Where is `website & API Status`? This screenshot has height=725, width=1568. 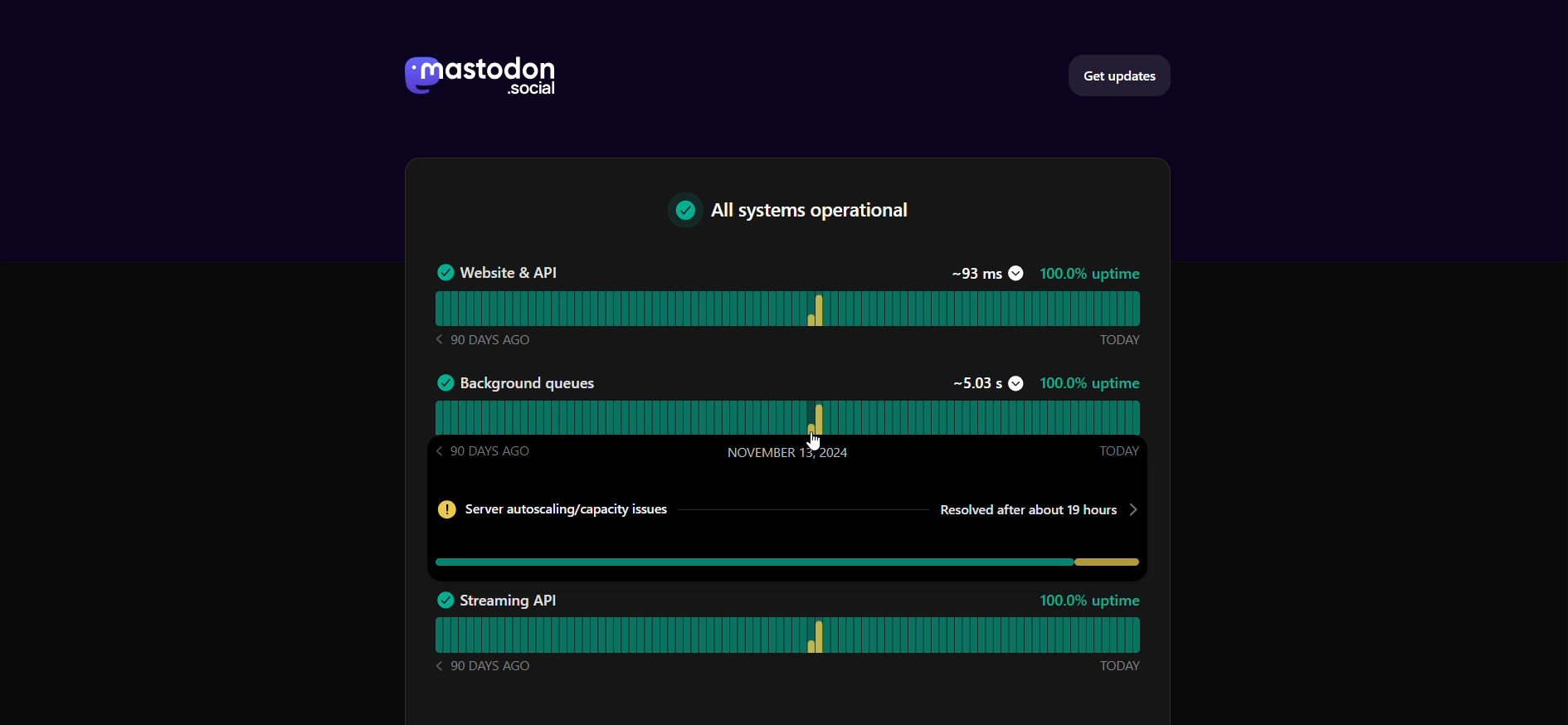 website & API Status is located at coordinates (786, 307).